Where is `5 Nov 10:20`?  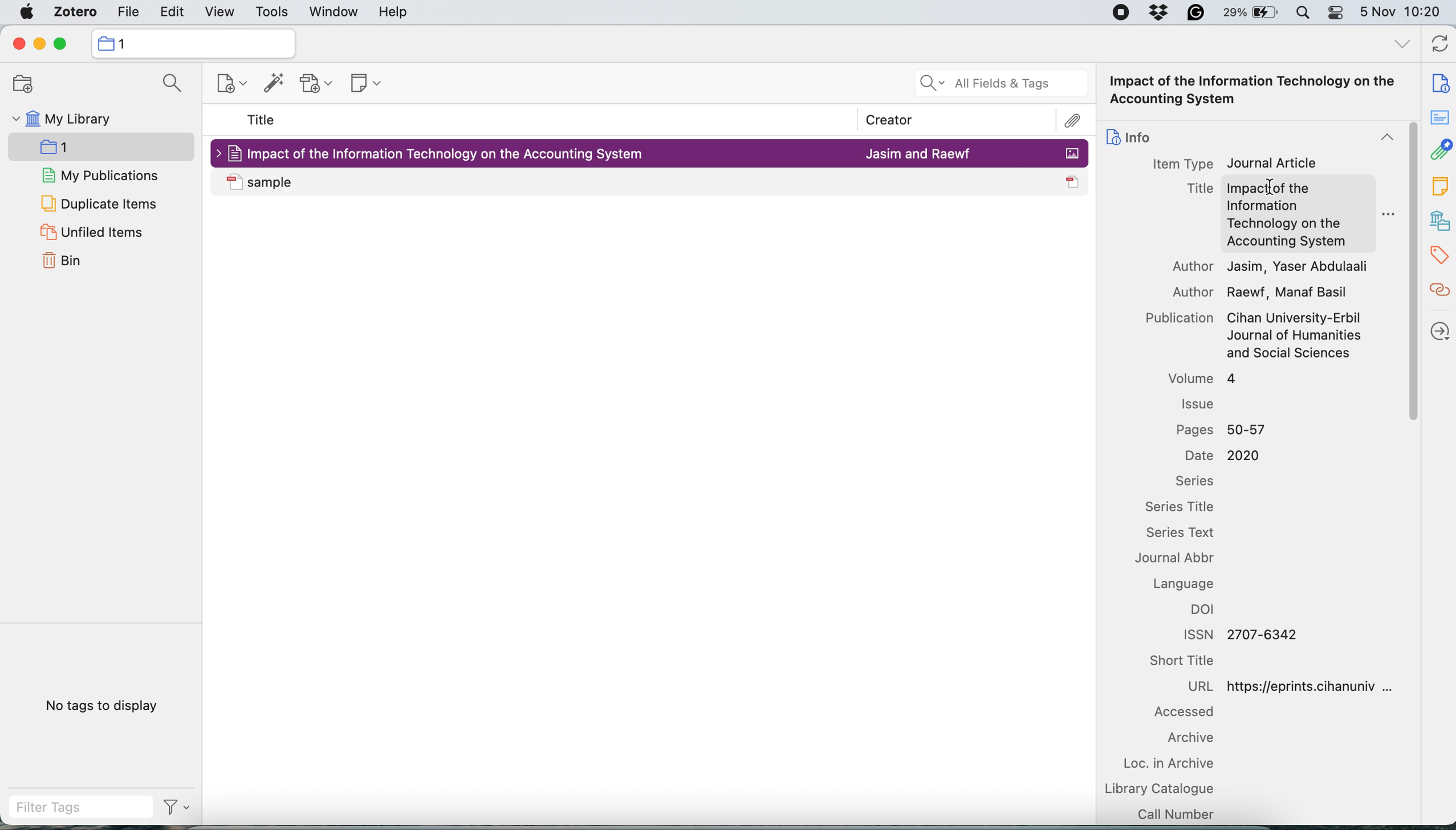 5 Nov 10:20 is located at coordinates (1401, 12).